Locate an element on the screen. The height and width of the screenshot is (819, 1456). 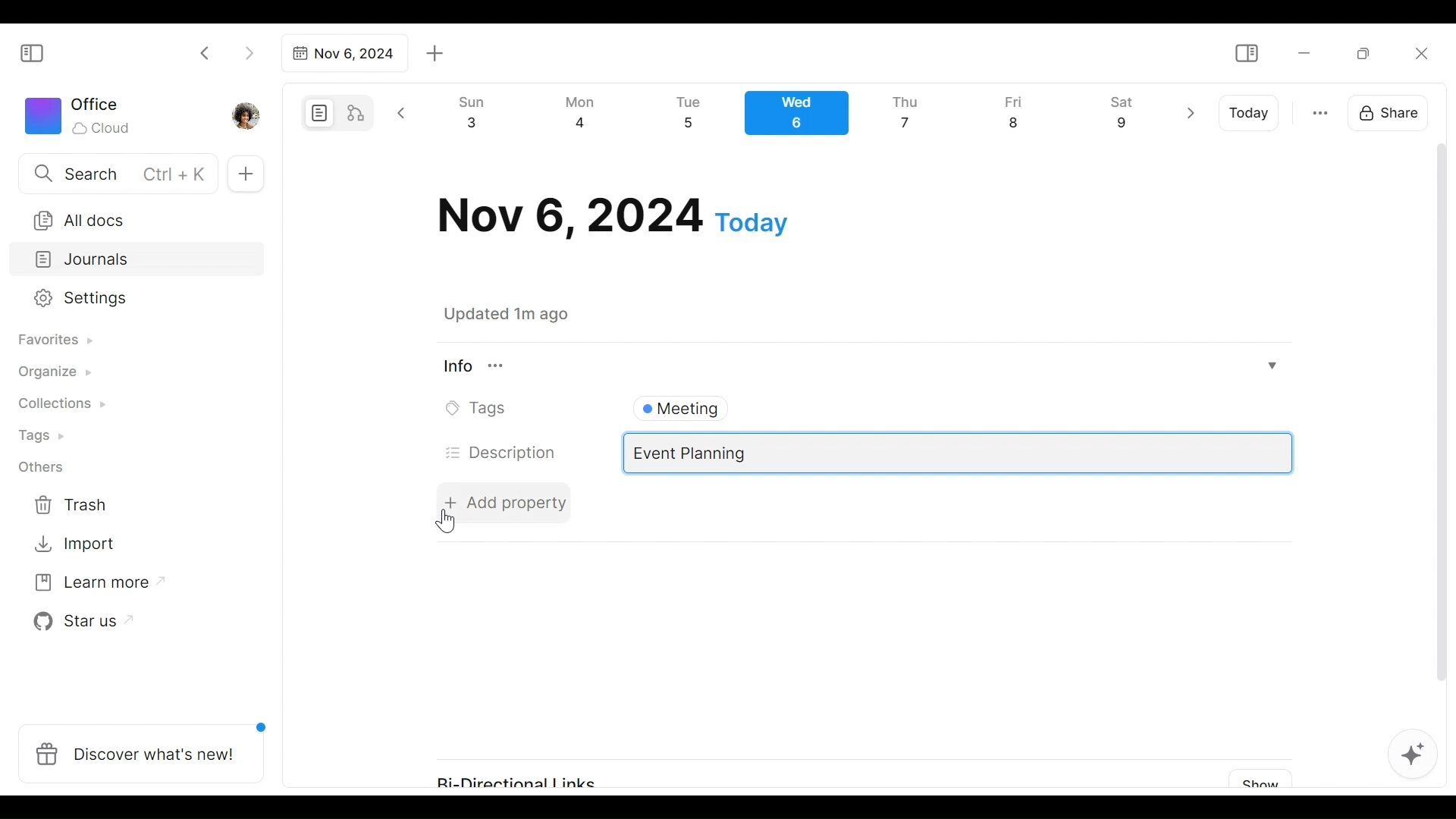
more otions is located at coordinates (1320, 111).